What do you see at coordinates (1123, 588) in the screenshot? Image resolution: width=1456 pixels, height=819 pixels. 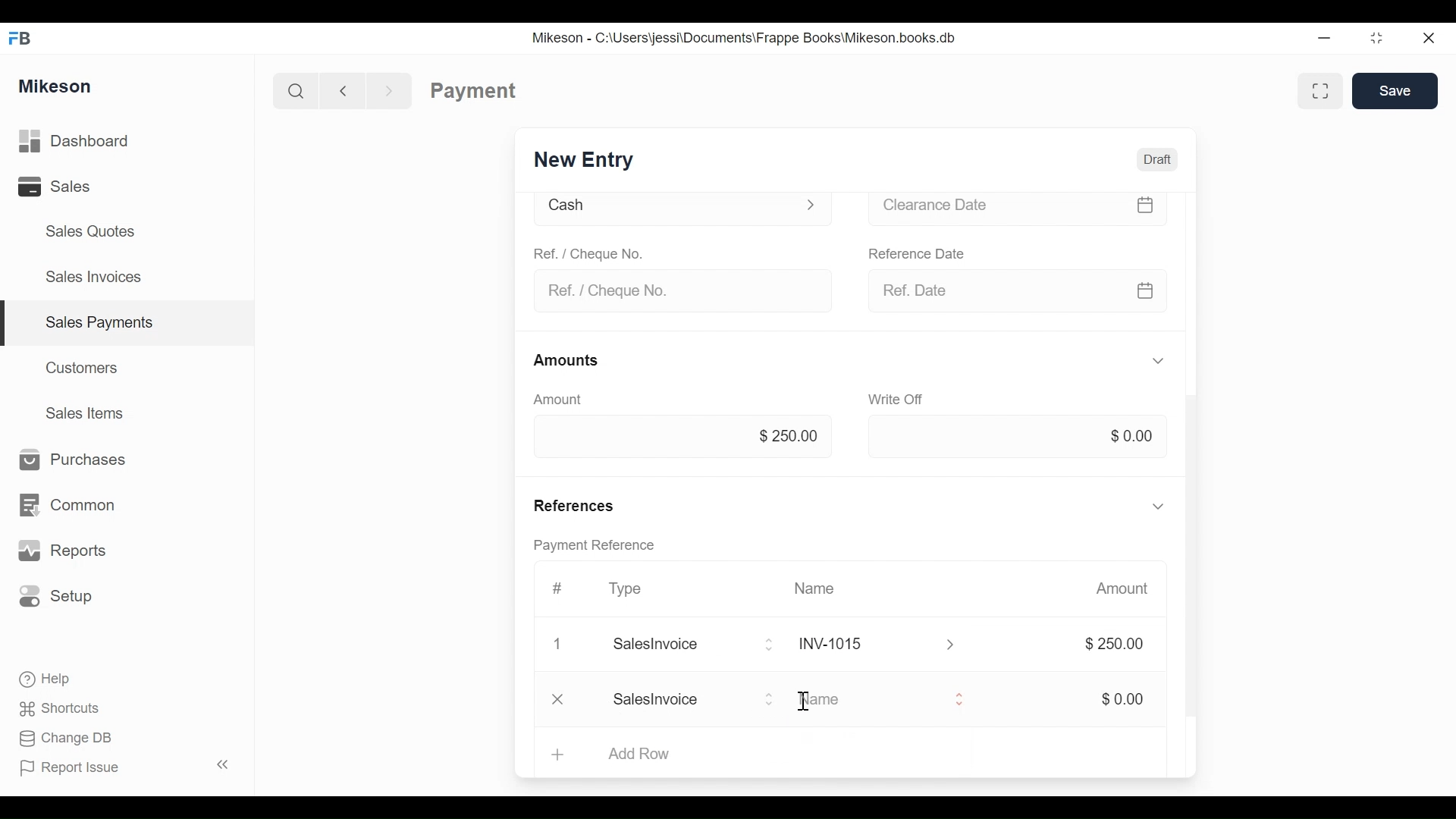 I see `Amount` at bounding box center [1123, 588].